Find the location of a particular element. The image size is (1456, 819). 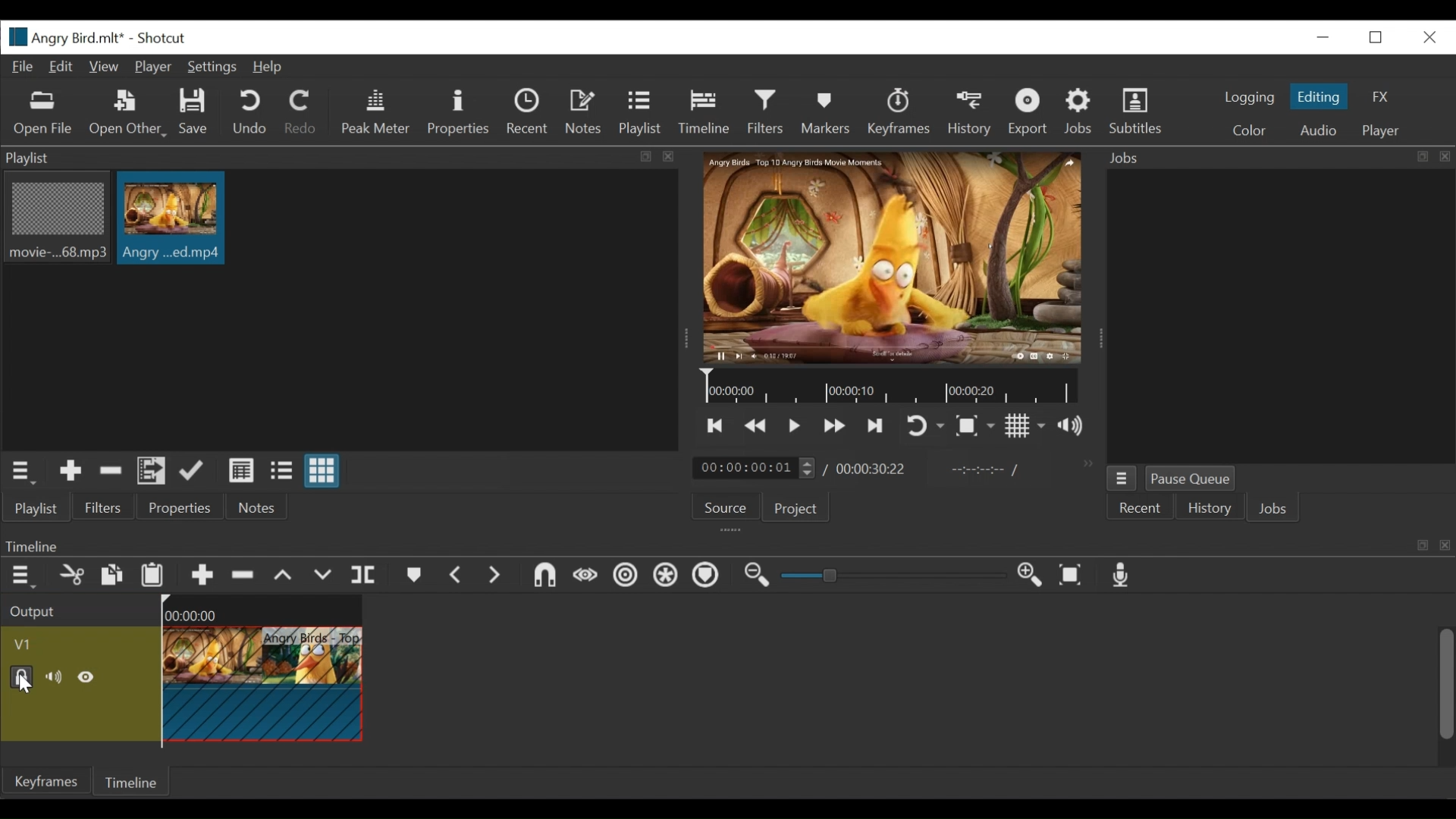

Media Viewer is located at coordinates (888, 259).